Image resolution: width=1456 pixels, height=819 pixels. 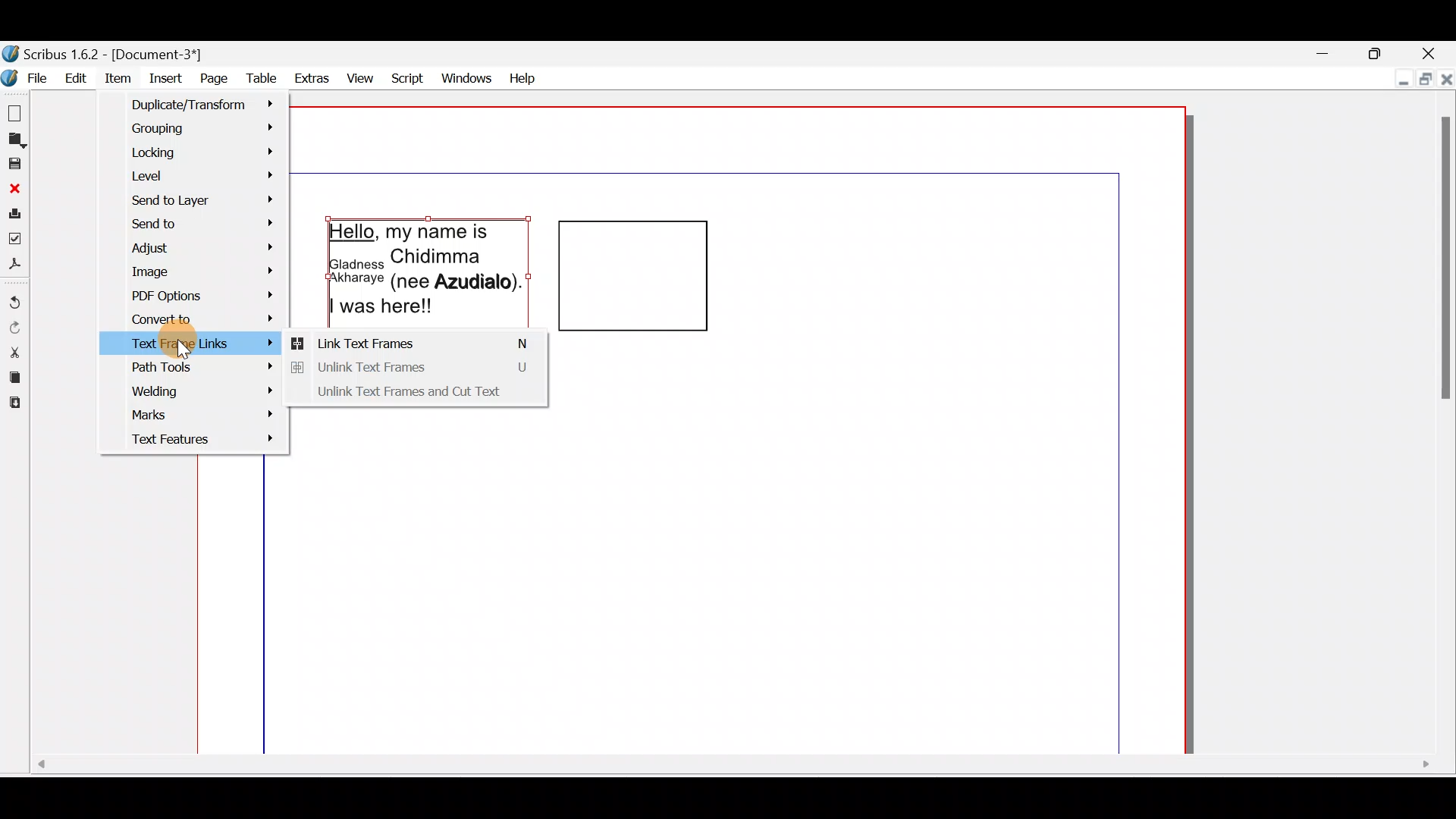 I want to click on Maximise, so click(x=1378, y=51).